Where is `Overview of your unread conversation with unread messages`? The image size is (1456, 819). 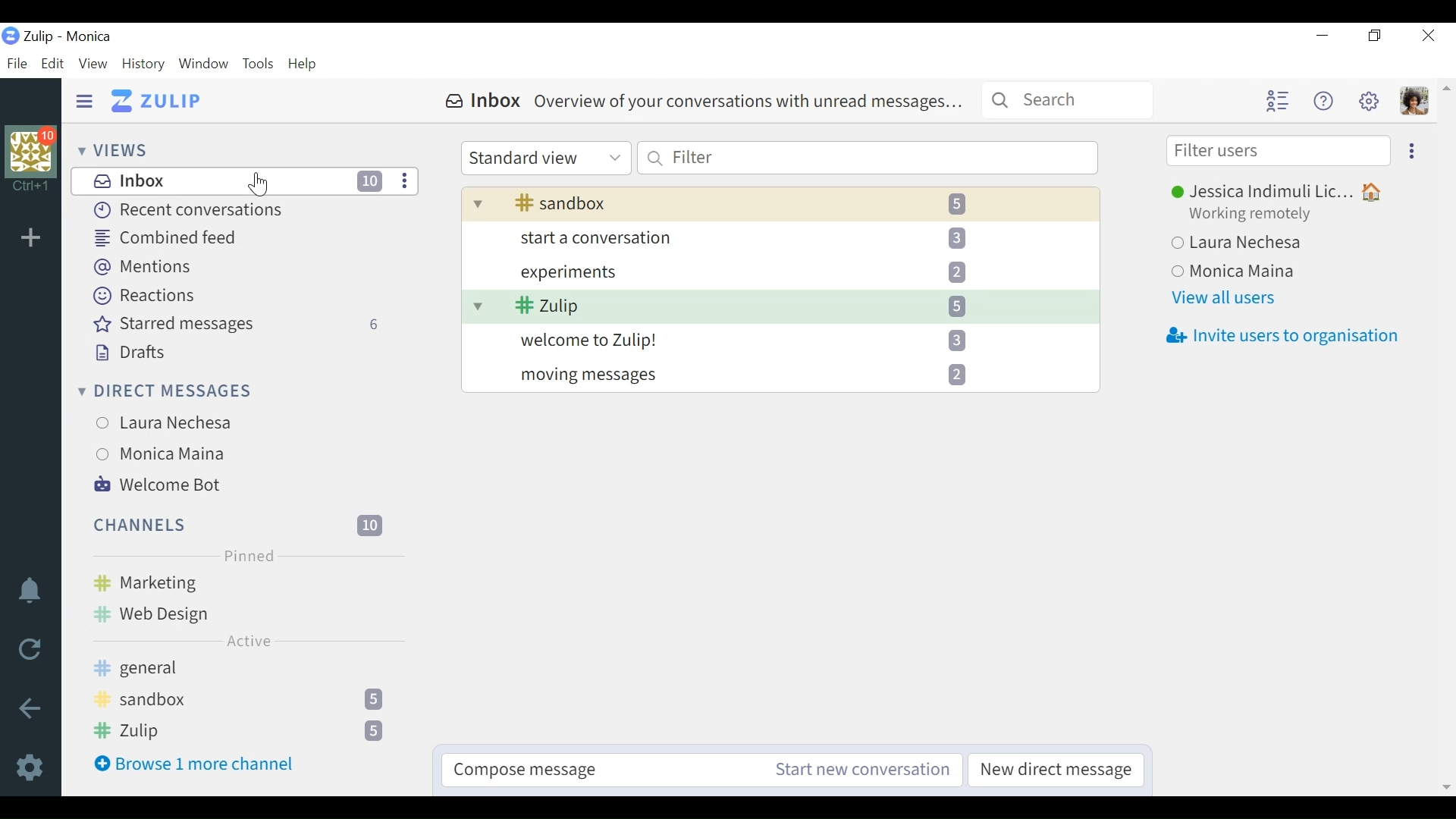 Overview of your unread conversation with unread messages is located at coordinates (780, 341).